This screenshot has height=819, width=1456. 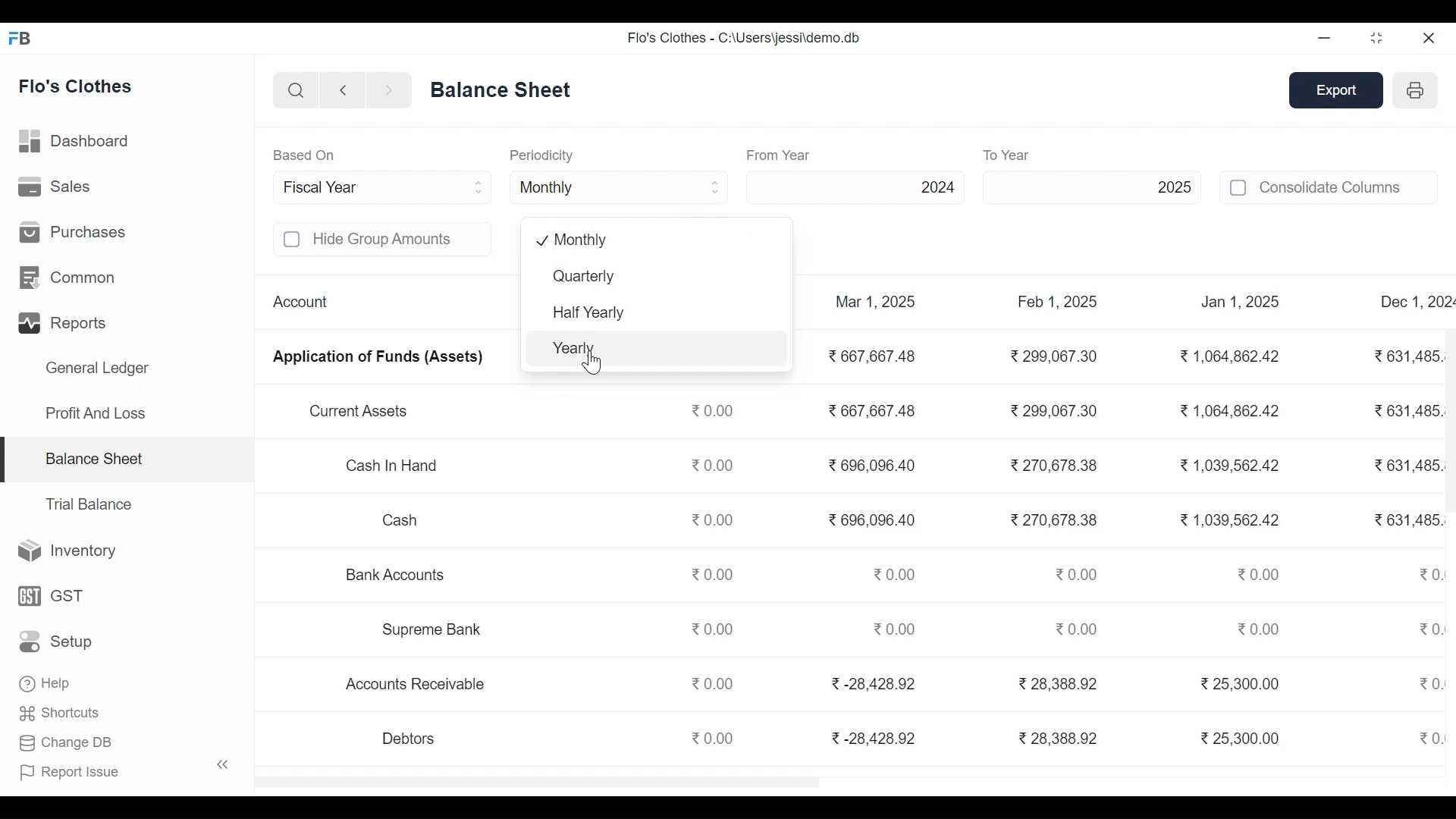 I want to click on general ledger, so click(x=504, y=89).